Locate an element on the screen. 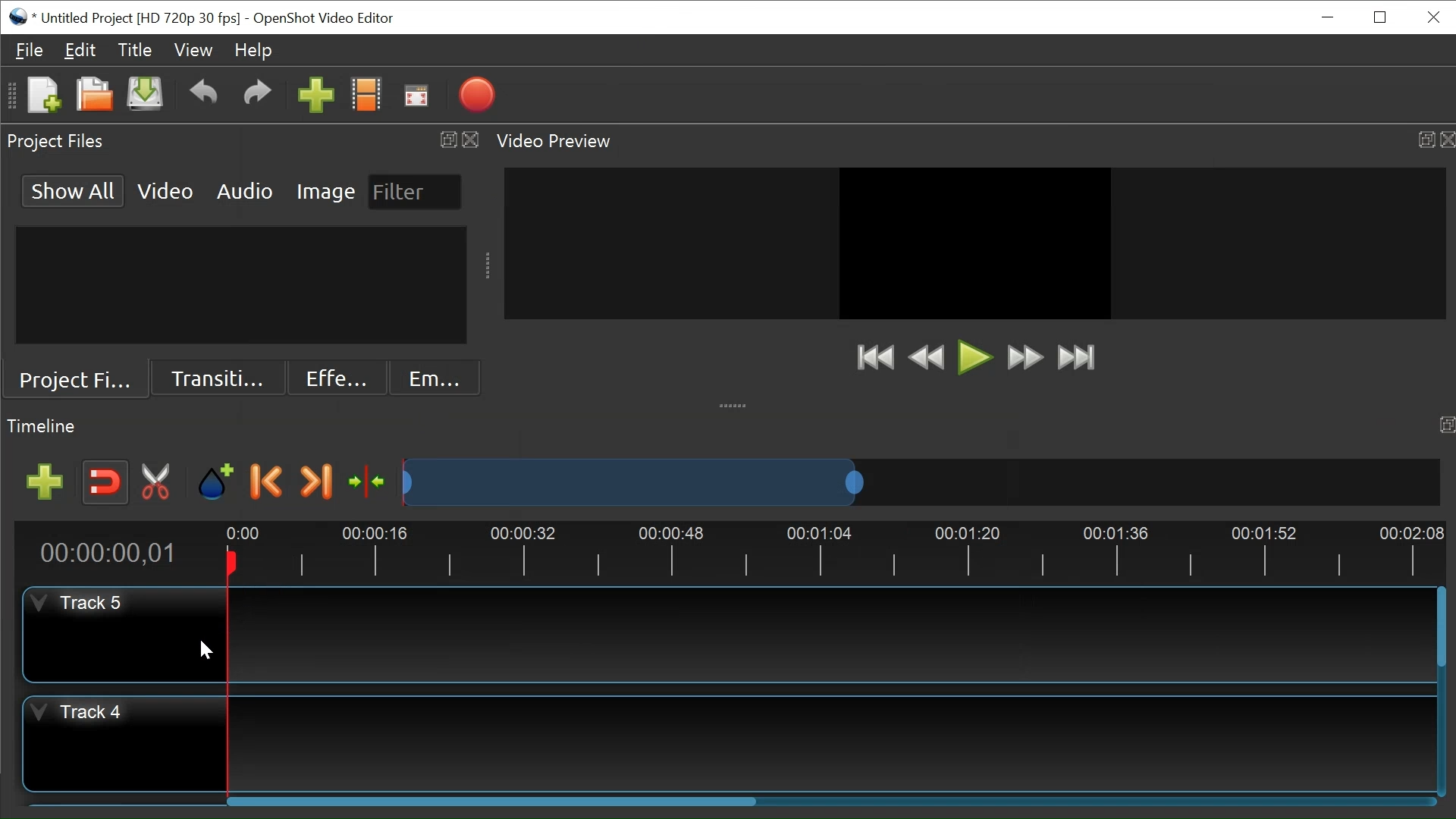 This screenshot has width=1456, height=819. Fast Forward is located at coordinates (1022, 357).